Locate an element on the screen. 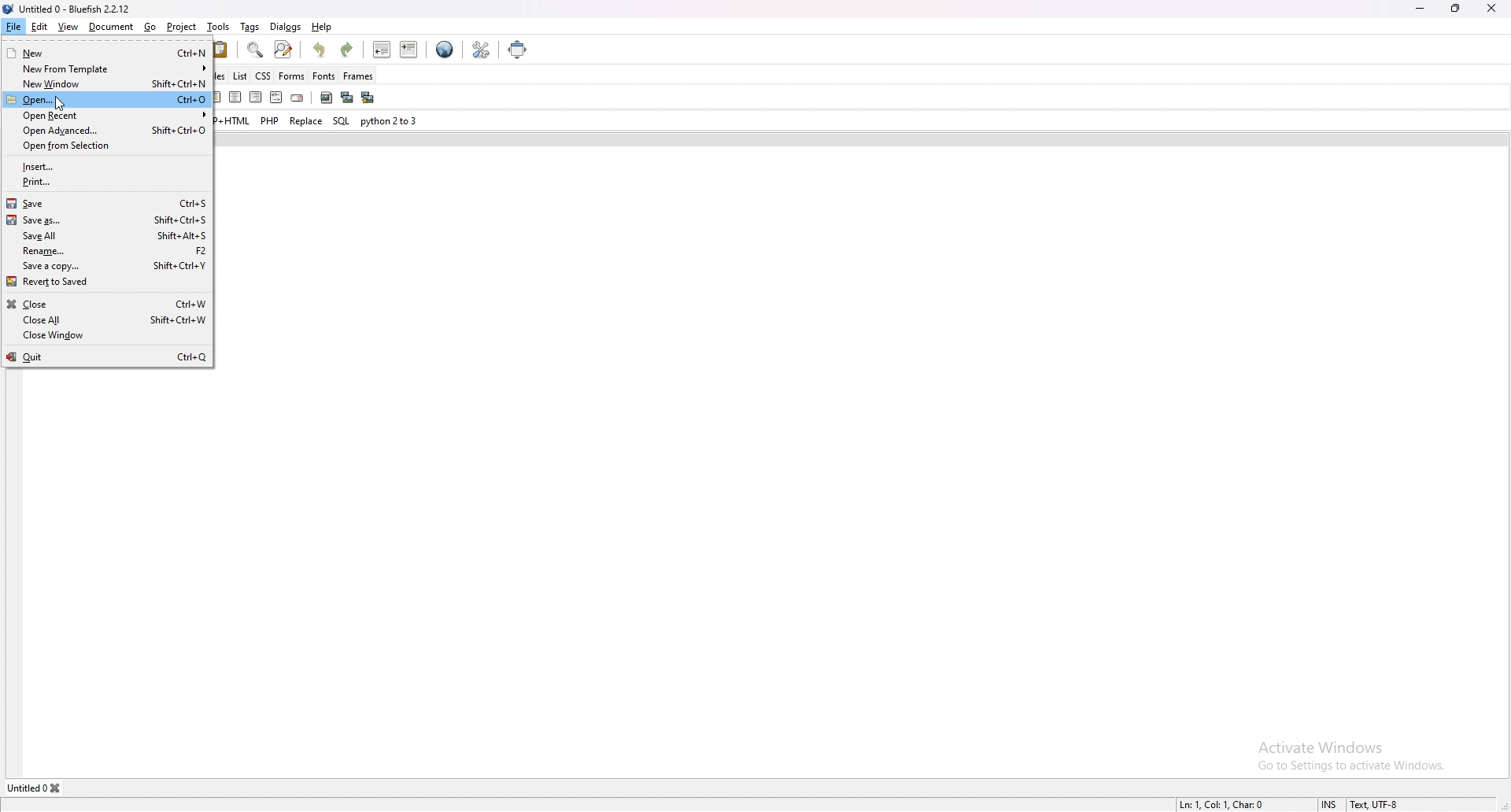 The width and height of the screenshot is (1511, 812). tools is located at coordinates (219, 28).